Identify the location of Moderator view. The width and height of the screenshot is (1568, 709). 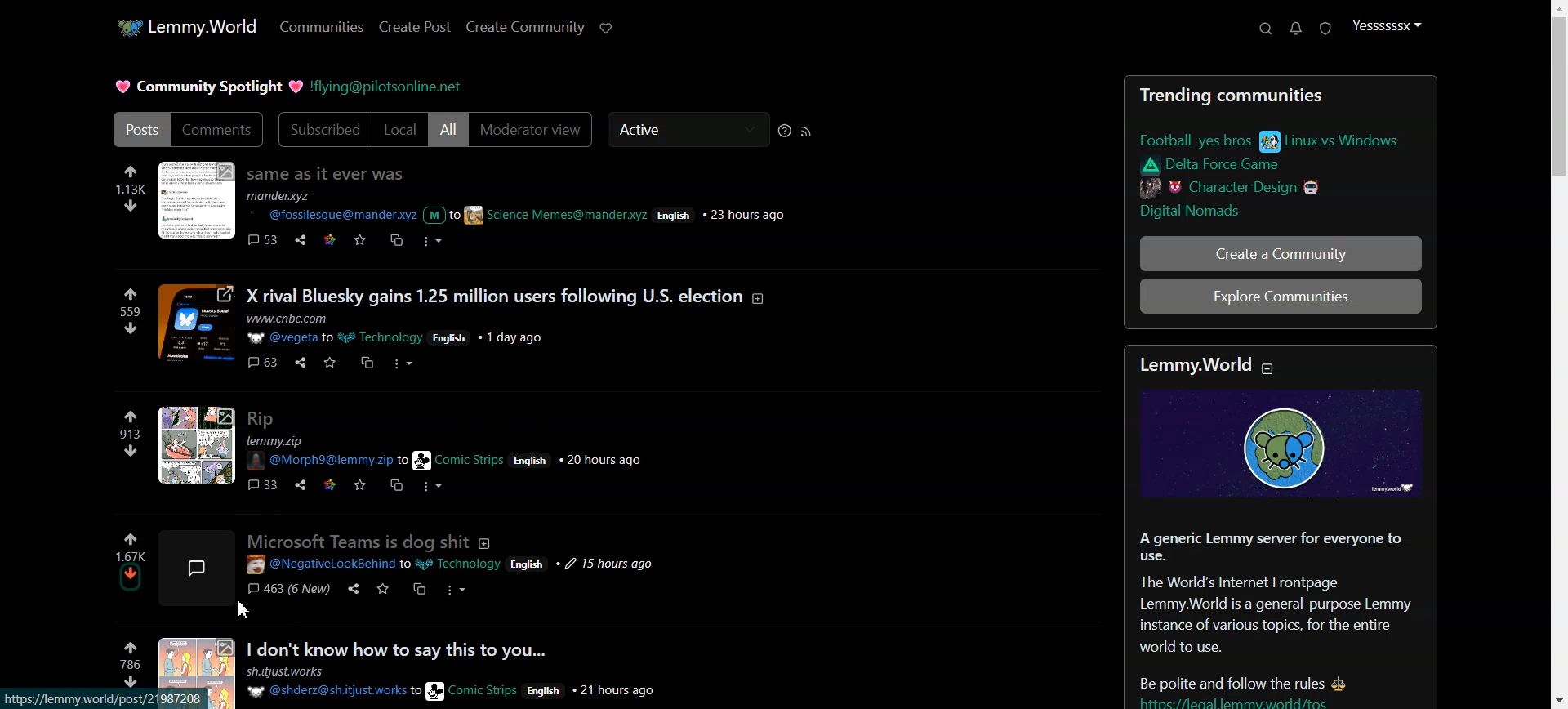
(532, 130).